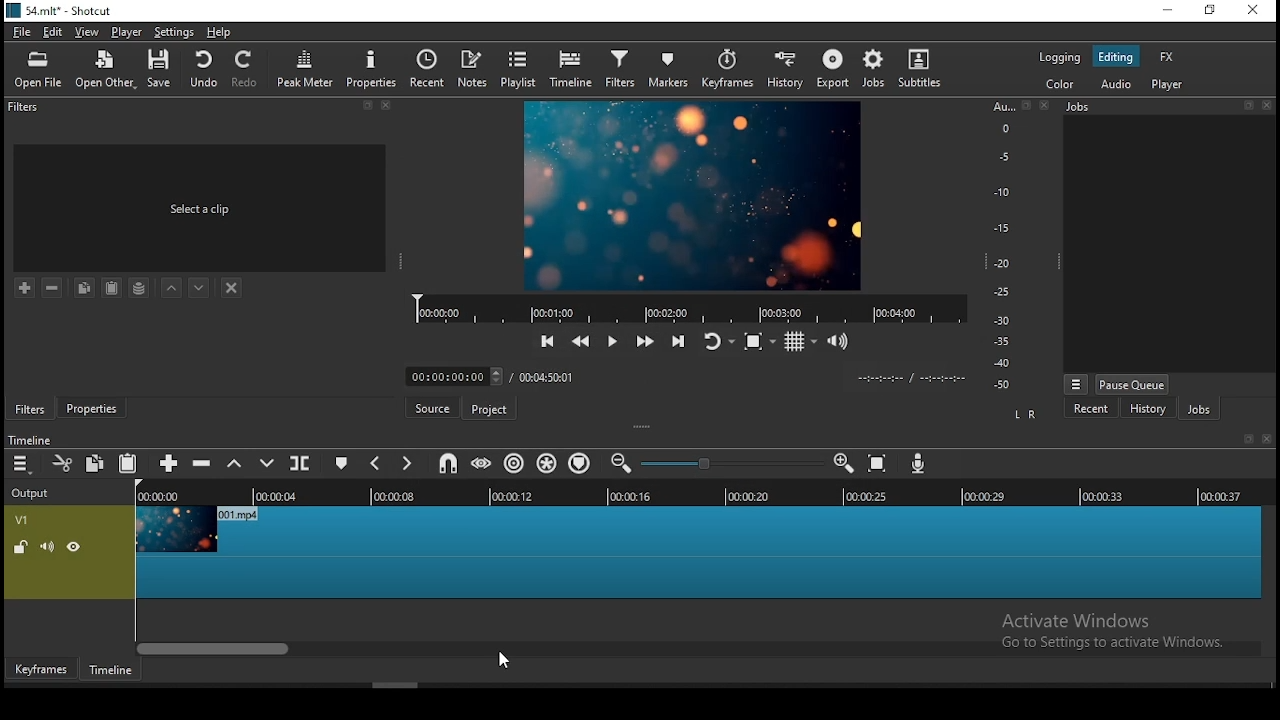 The image size is (1280, 720). What do you see at coordinates (1246, 440) in the screenshot?
I see `restore` at bounding box center [1246, 440].